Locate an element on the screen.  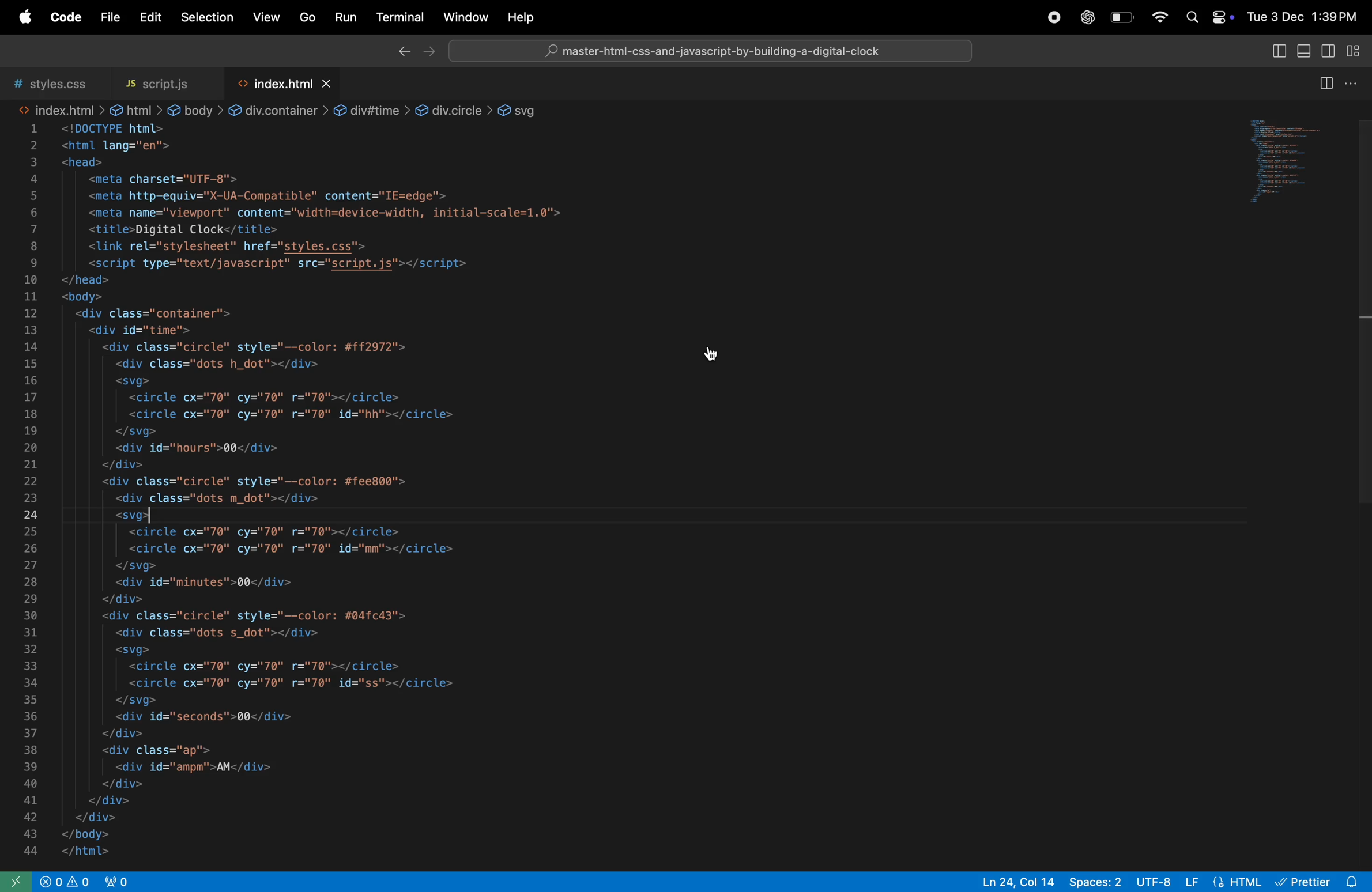
body is located at coordinates (187, 109).